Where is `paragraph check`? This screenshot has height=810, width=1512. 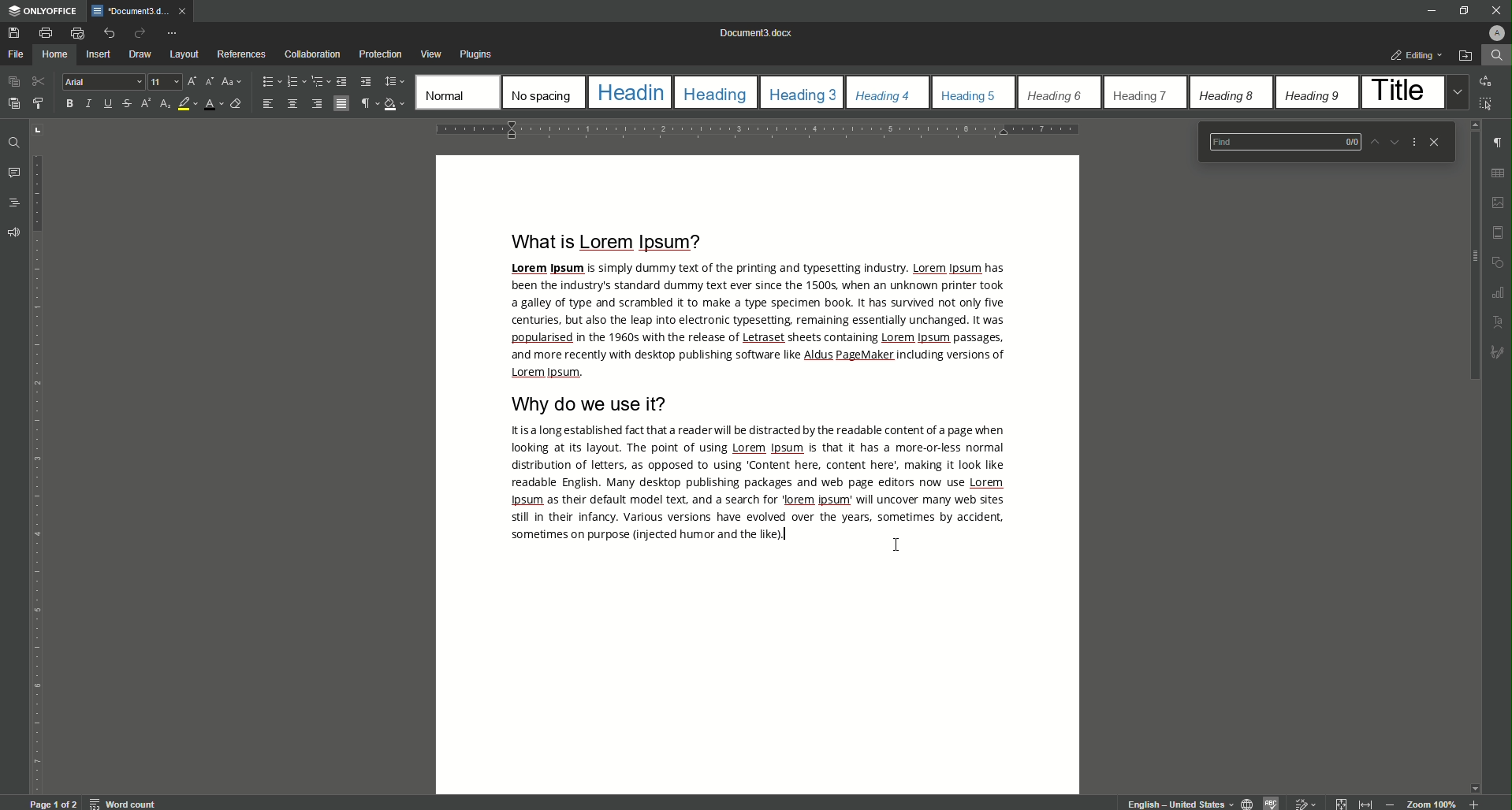 paragraph check is located at coordinates (1502, 139).